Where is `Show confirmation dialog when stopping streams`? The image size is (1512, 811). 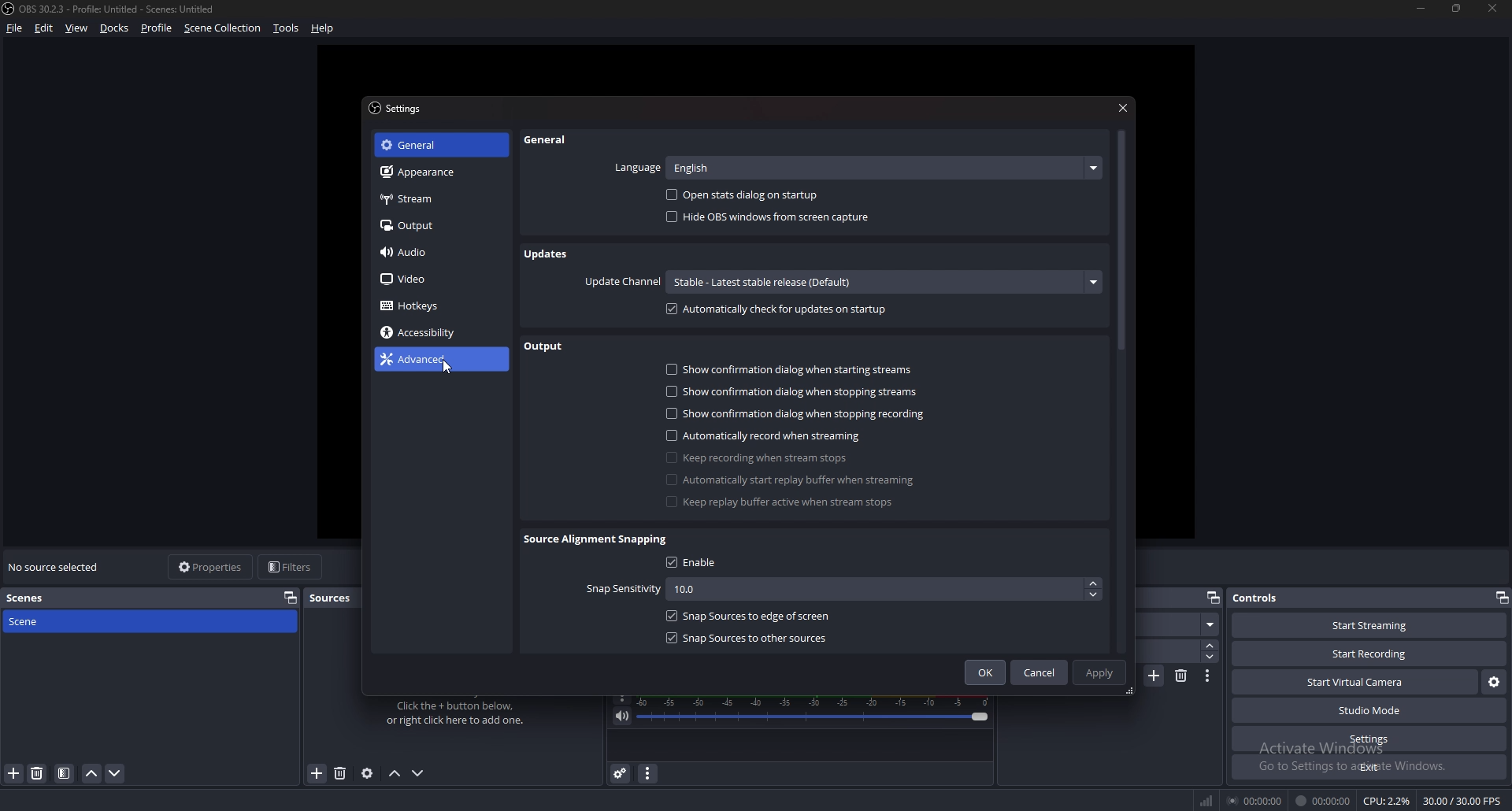
Show confirmation dialog when stopping streams is located at coordinates (791, 393).